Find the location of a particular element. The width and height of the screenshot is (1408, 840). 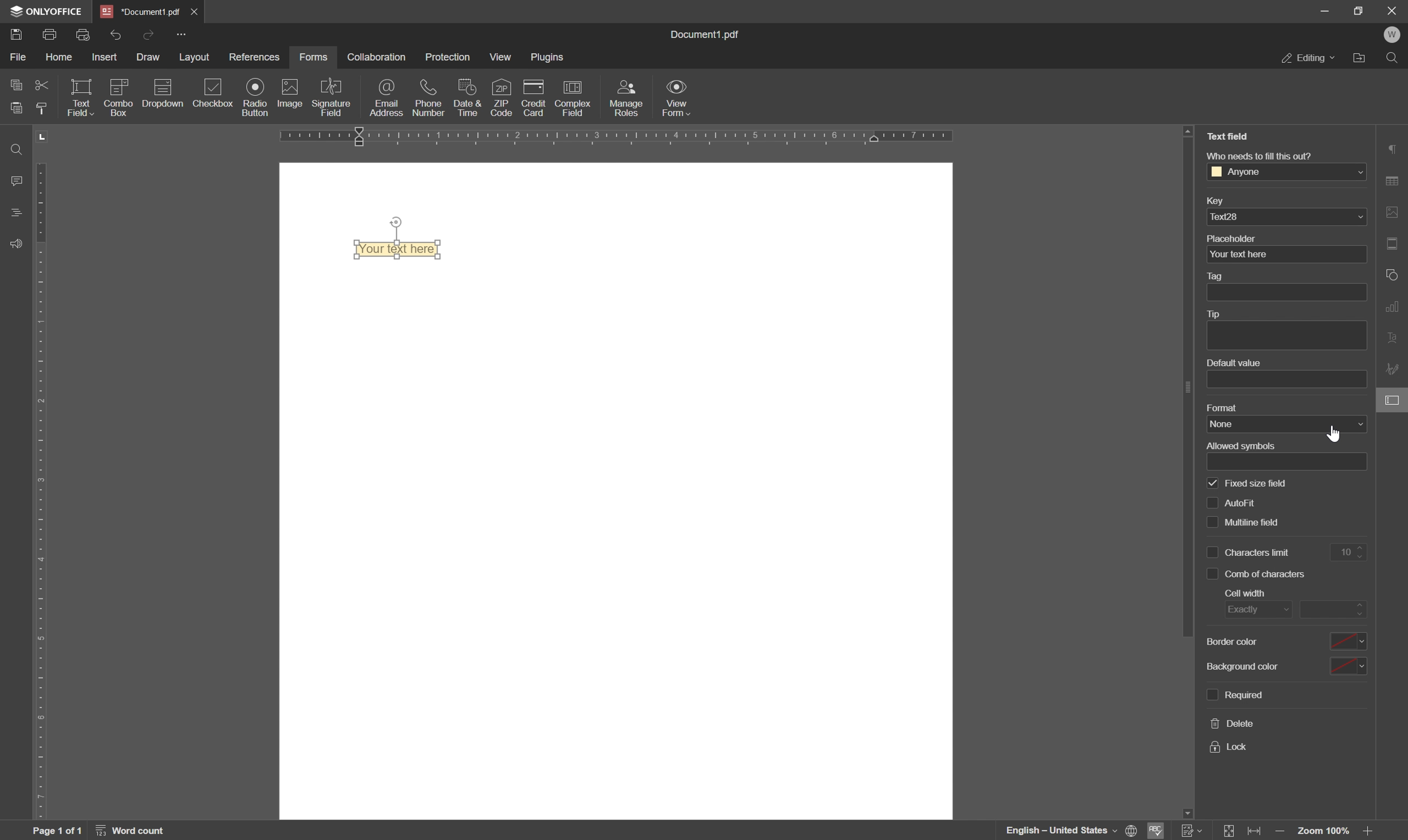

copy style is located at coordinates (42, 109).